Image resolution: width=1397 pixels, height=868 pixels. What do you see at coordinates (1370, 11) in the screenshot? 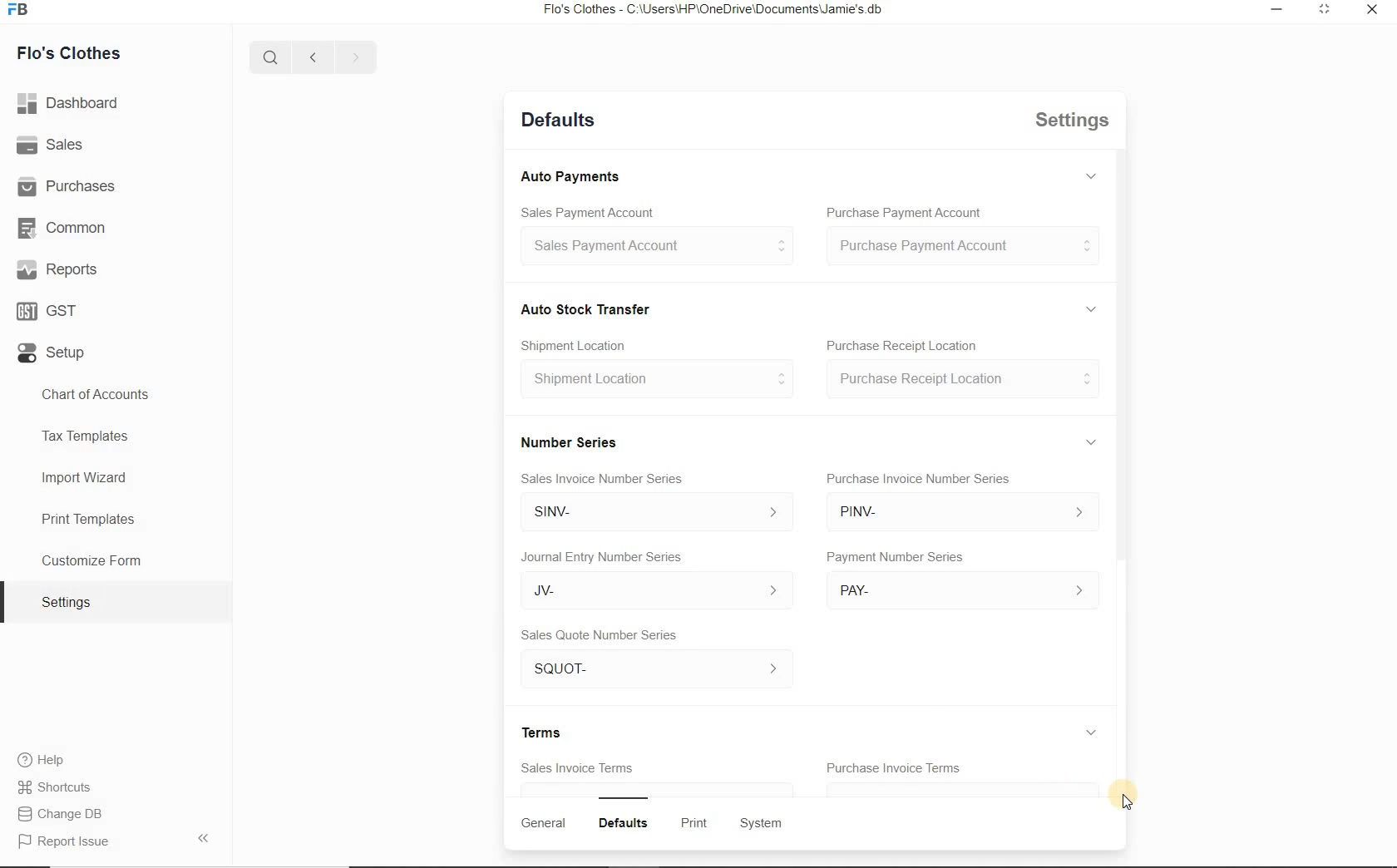
I see `Close` at bounding box center [1370, 11].